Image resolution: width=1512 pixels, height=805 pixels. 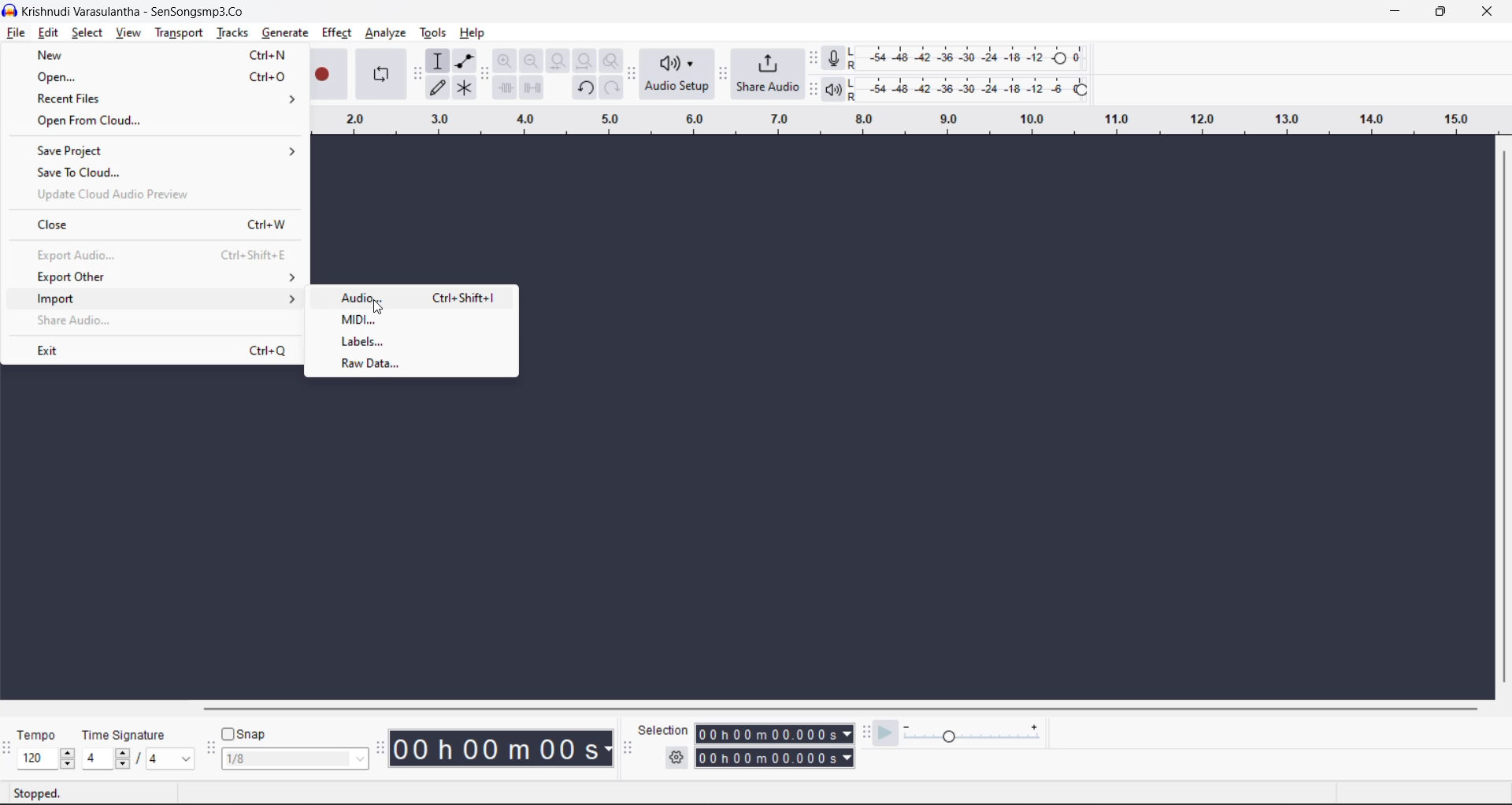 What do you see at coordinates (812, 89) in the screenshot?
I see `playback meter toolbar` at bounding box center [812, 89].